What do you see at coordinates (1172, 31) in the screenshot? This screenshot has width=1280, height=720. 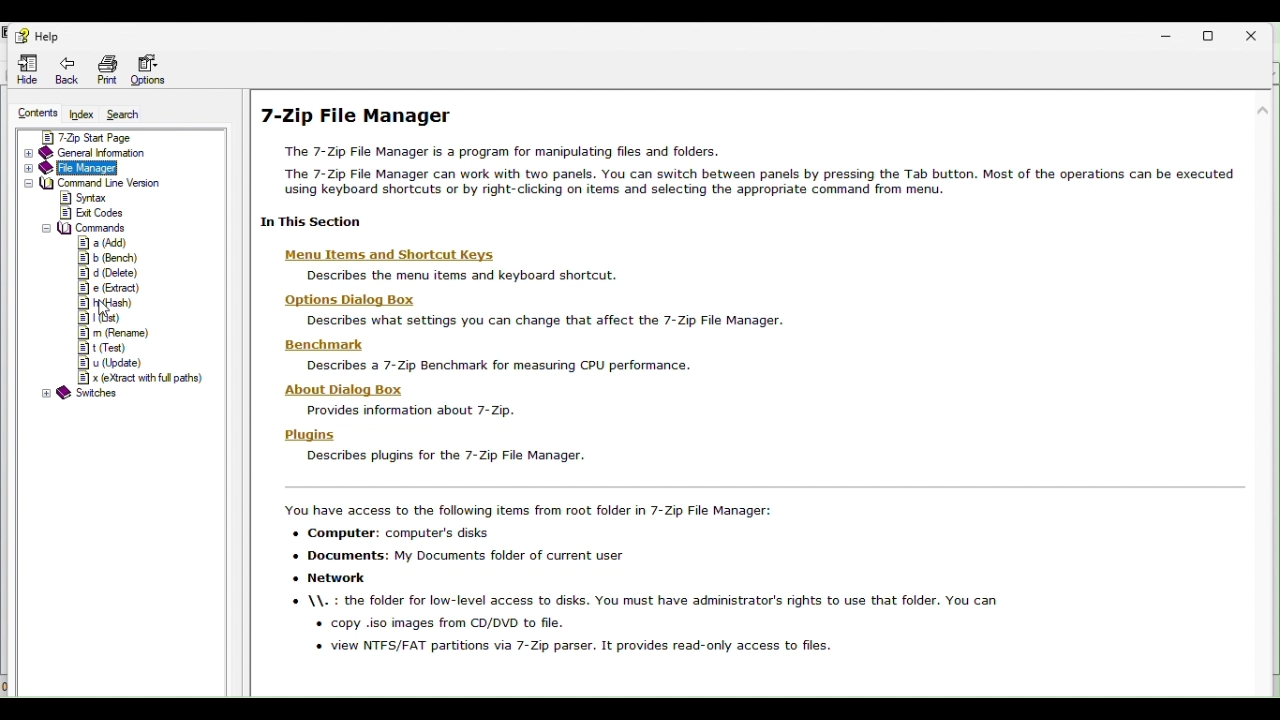 I see `Minimise` at bounding box center [1172, 31].